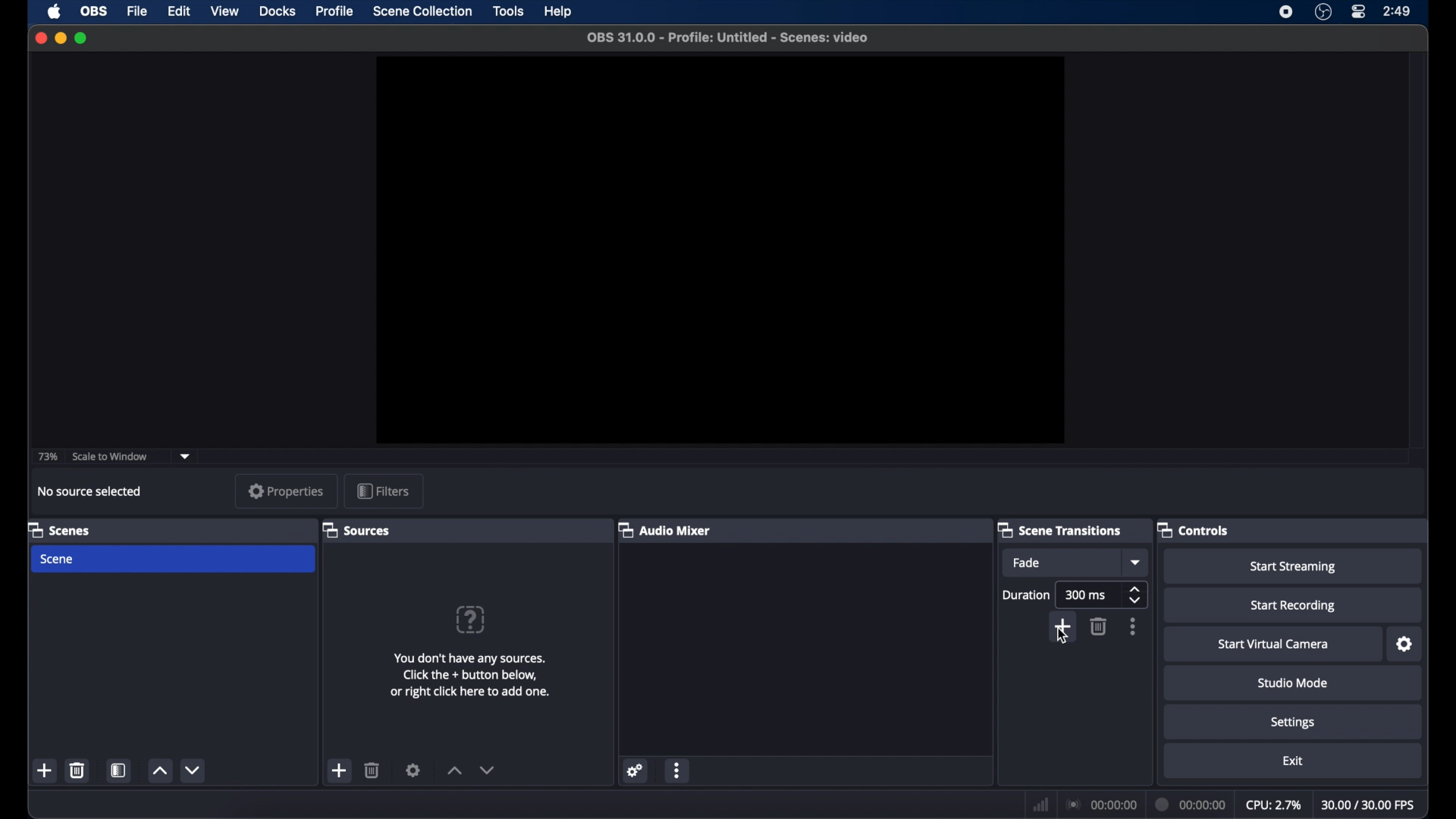 The image size is (1456, 819). I want to click on duration, so click(1188, 803).